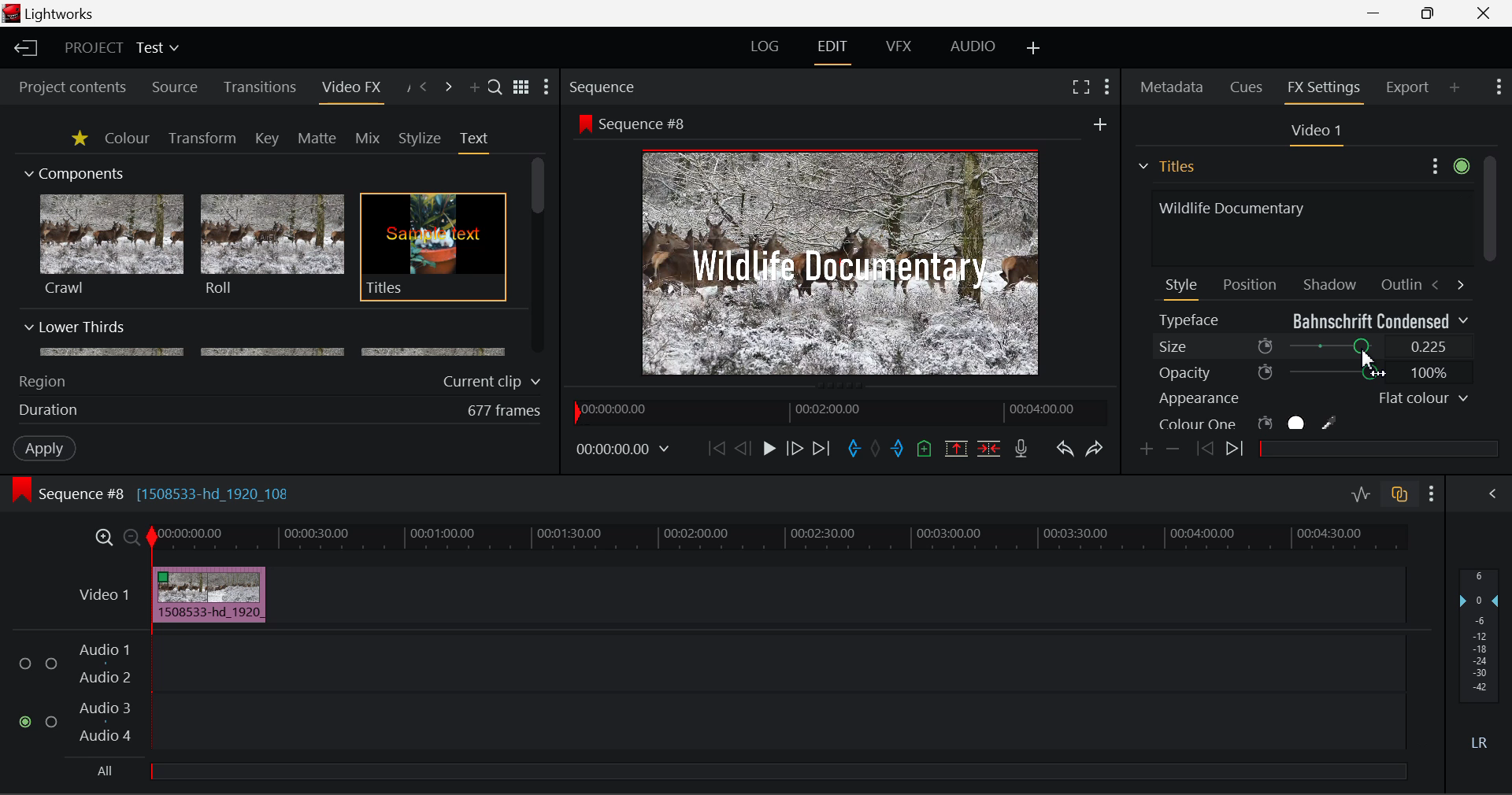 The height and width of the screenshot is (795, 1512). What do you see at coordinates (1173, 89) in the screenshot?
I see `Metadata` at bounding box center [1173, 89].